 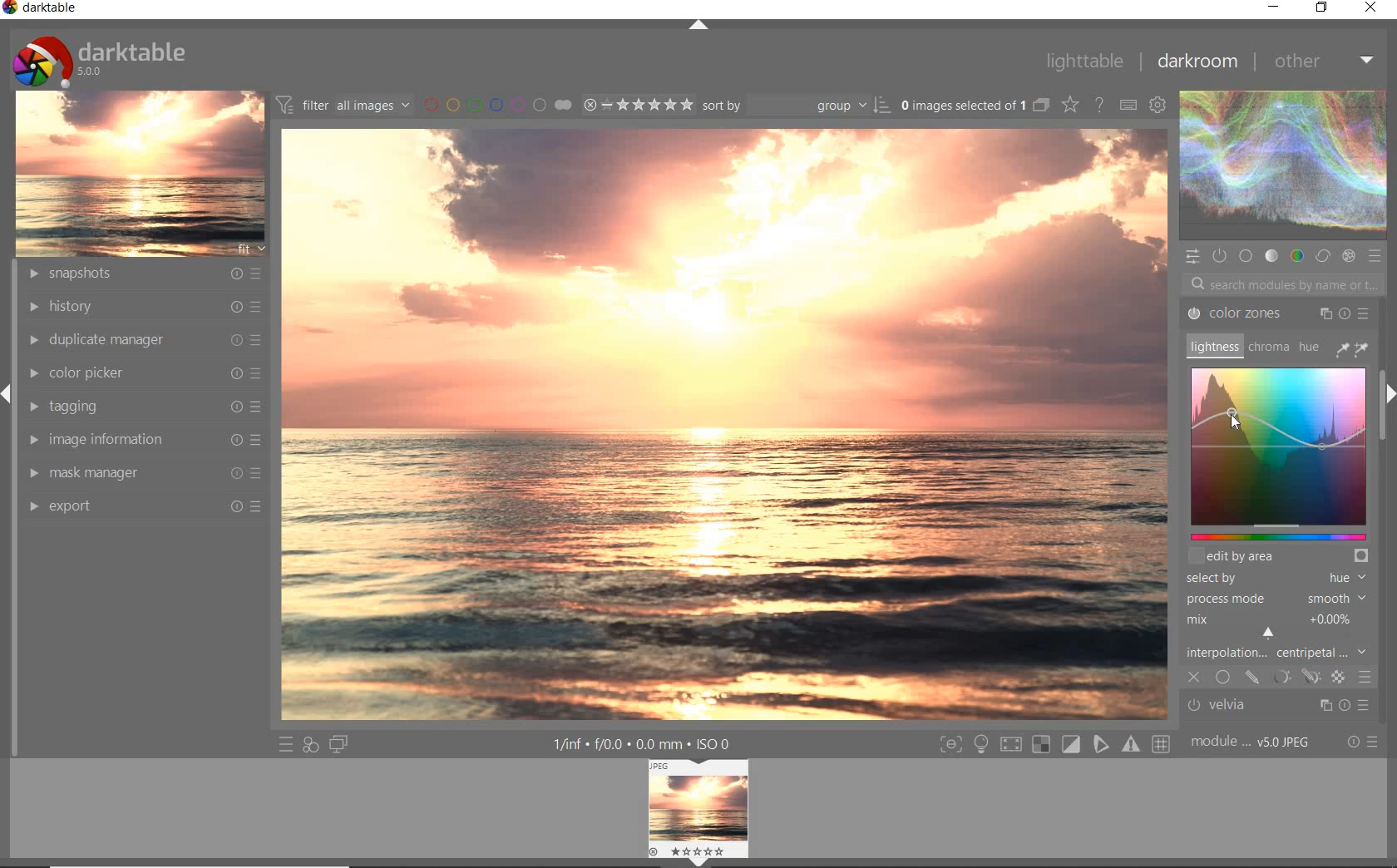 What do you see at coordinates (496, 104) in the screenshot?
I see `FITER BY COLOR LABEL` at bounding box center [496, 104].